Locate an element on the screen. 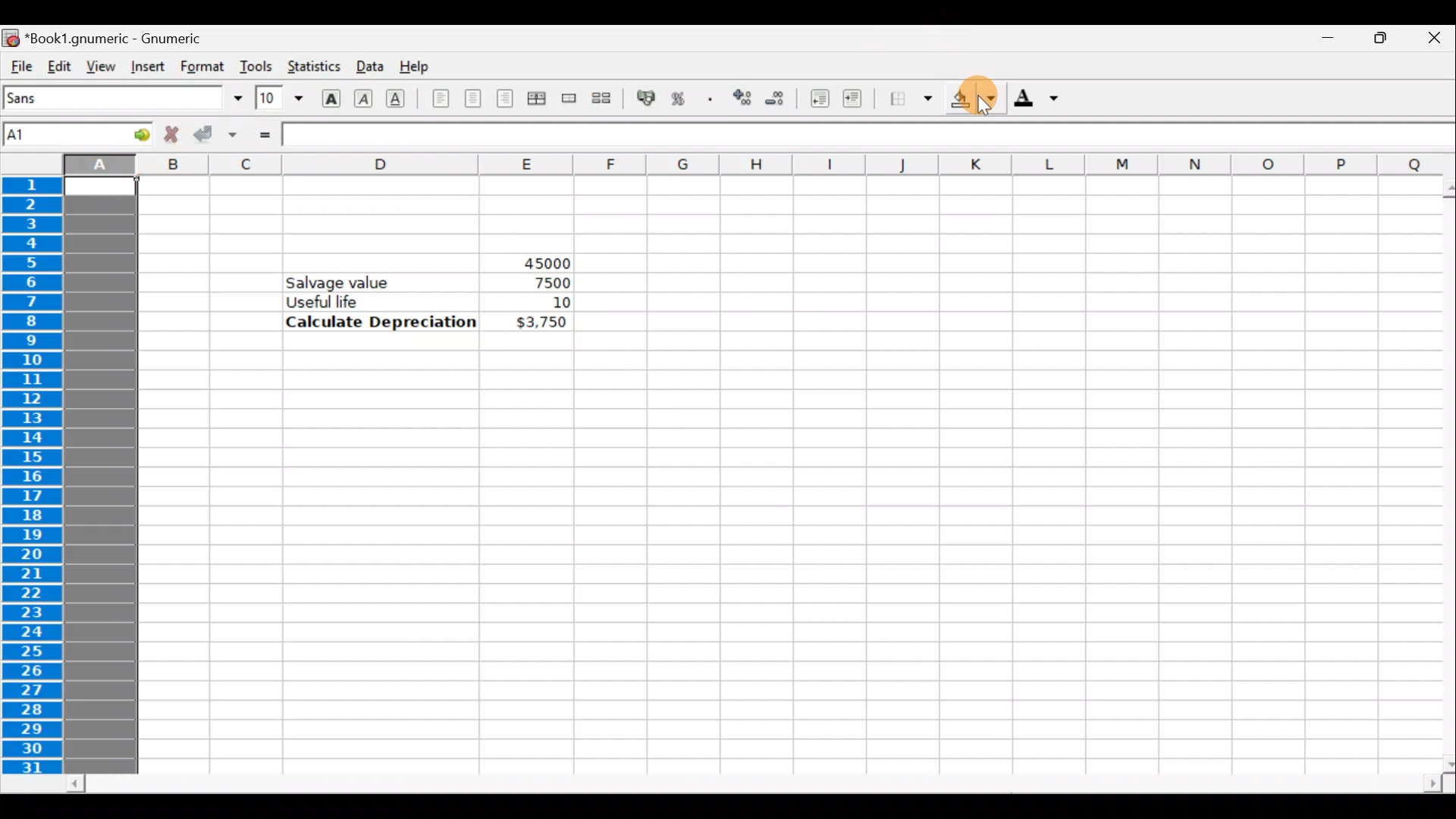  Minimize is located at coordinates (1320, 42).